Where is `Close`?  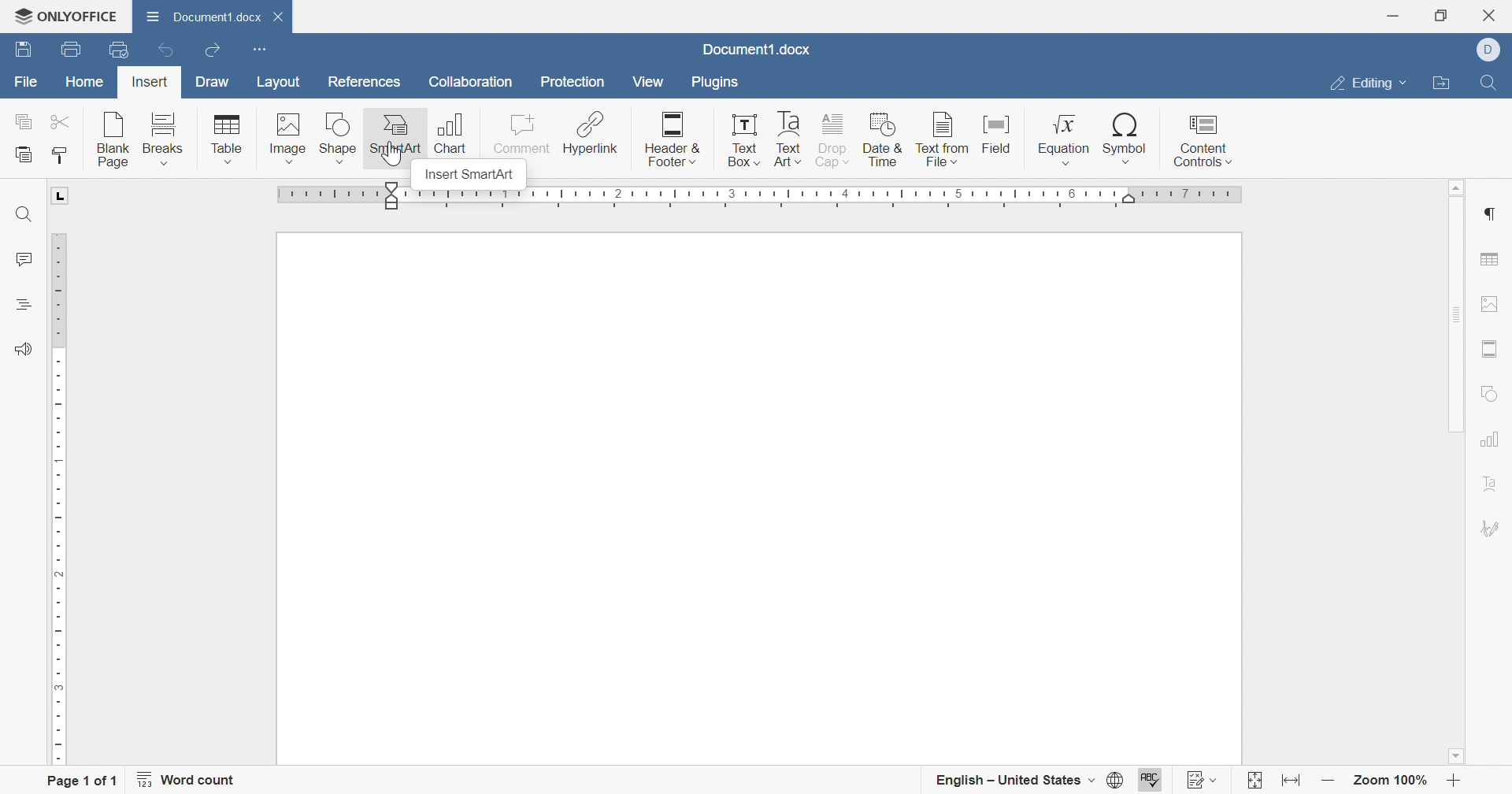
Close is located at coordinates (1493, 14).